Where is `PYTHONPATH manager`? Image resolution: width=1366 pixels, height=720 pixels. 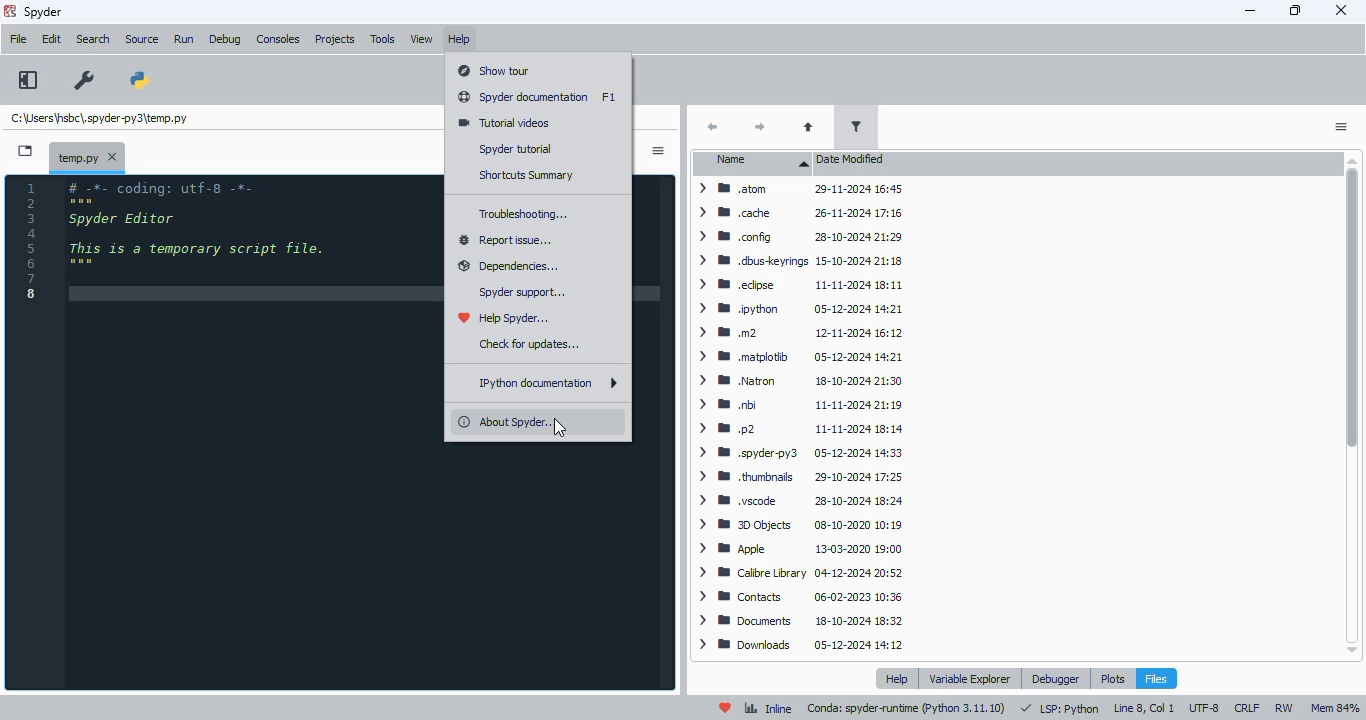 PYTHONPATH manager is located at coordinates (141, 81).